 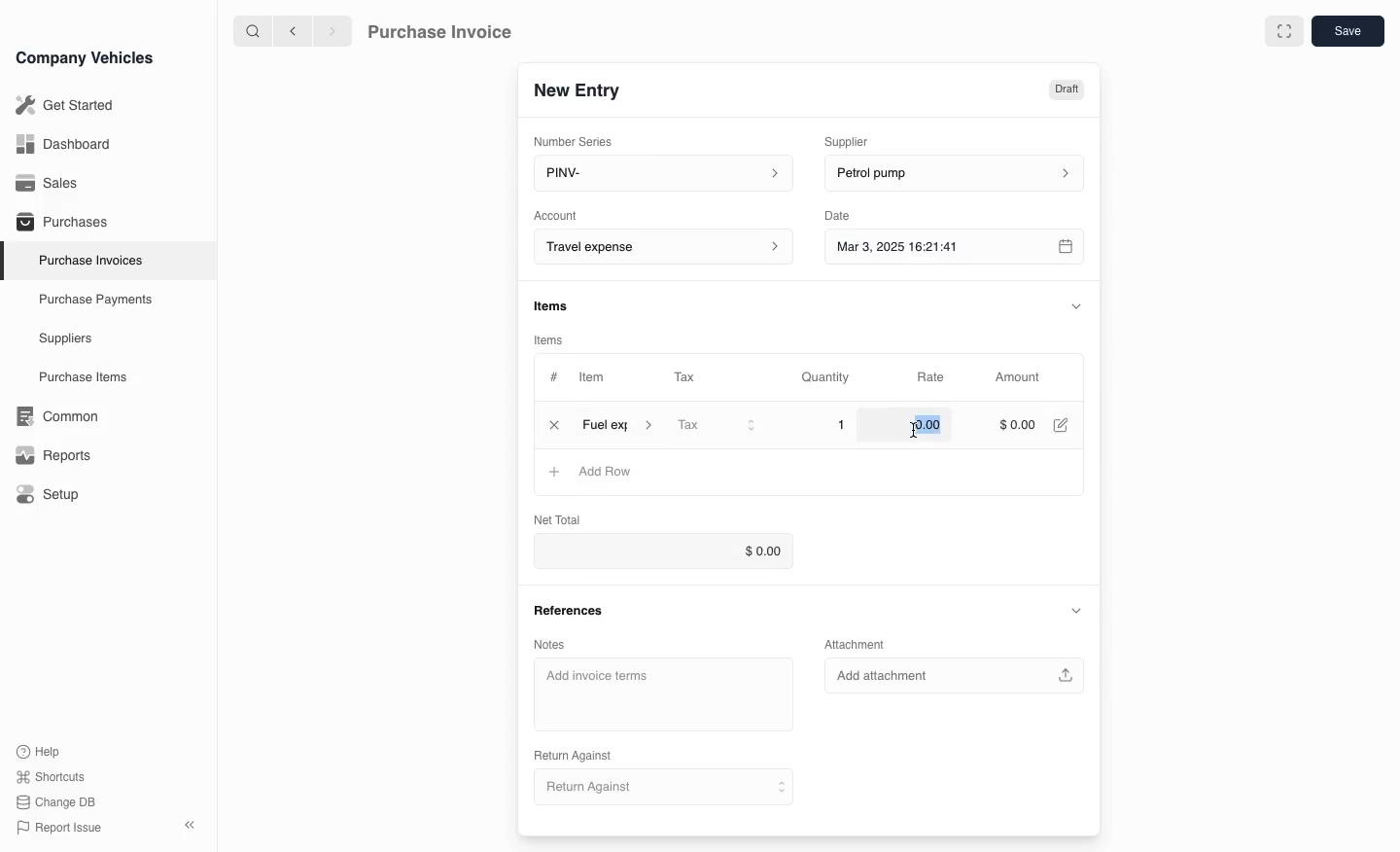 What do you see at coordinates (660, 247) in the screenshot?
I see `Account` at bounding box center [660, 247].